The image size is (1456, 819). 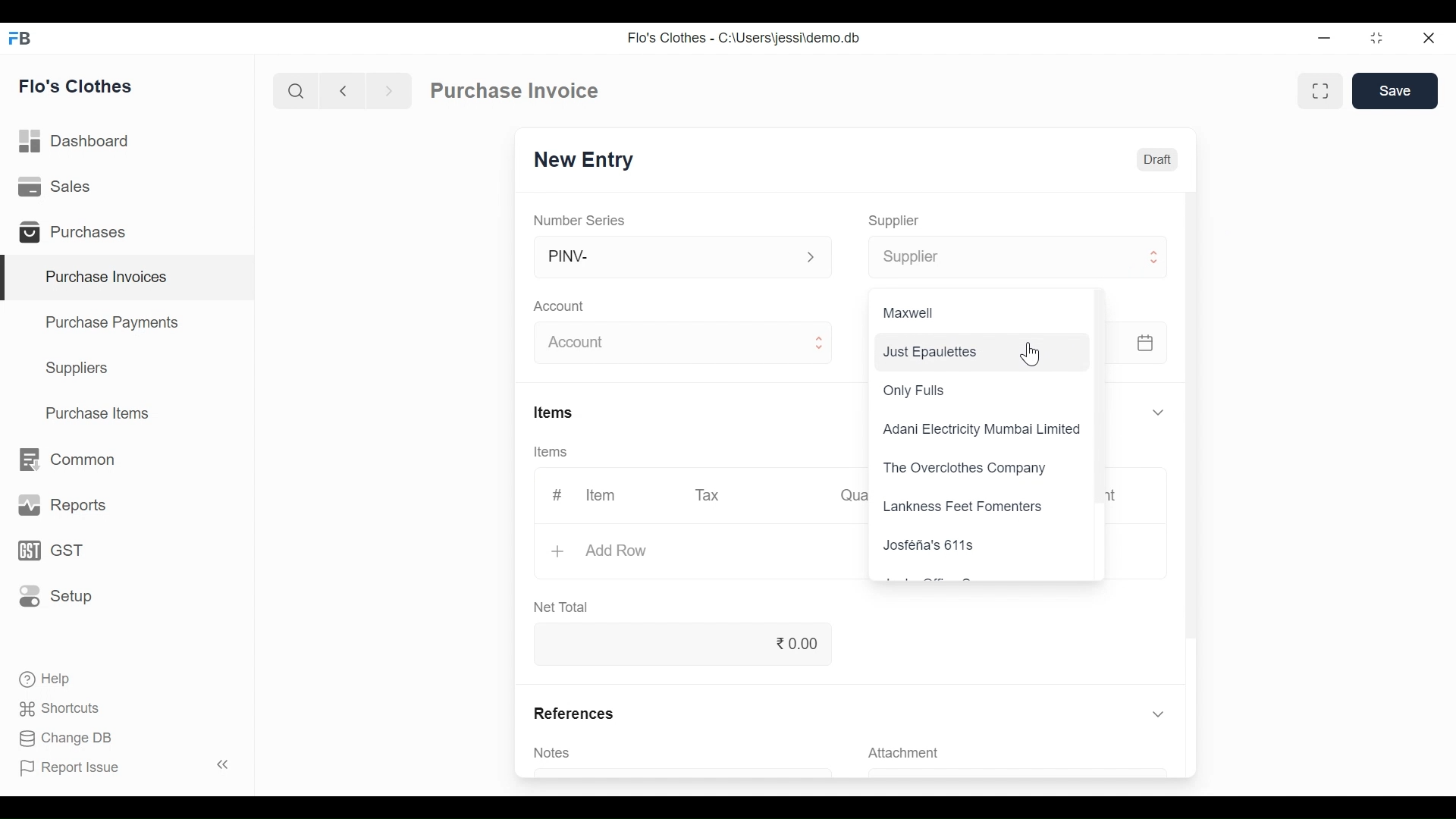 I want to click on Purchases, so click(x=77, y=233).